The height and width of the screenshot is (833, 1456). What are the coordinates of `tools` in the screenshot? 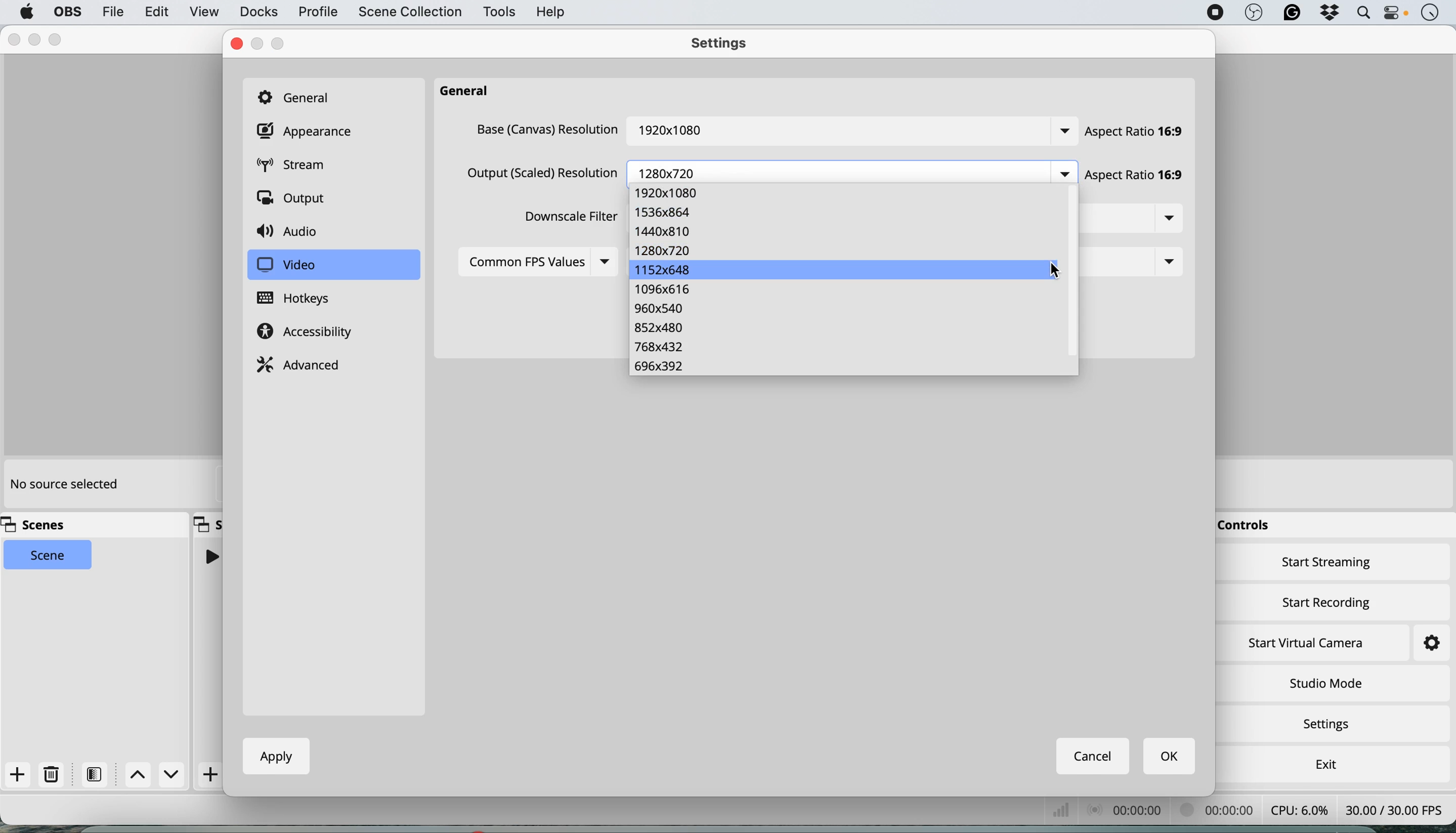 It's located at (498, 13).